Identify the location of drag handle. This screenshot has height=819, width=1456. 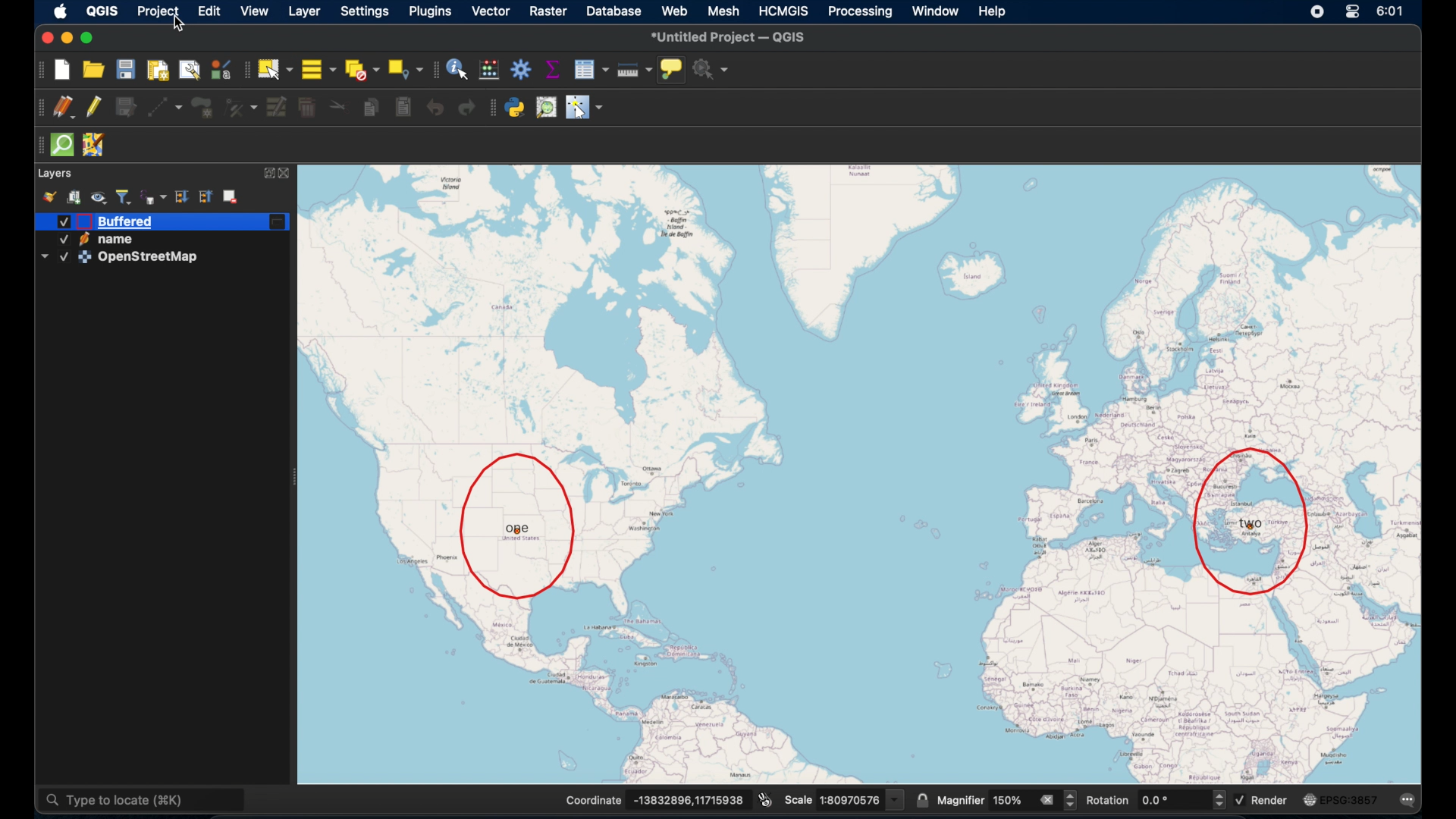
(39, 108).